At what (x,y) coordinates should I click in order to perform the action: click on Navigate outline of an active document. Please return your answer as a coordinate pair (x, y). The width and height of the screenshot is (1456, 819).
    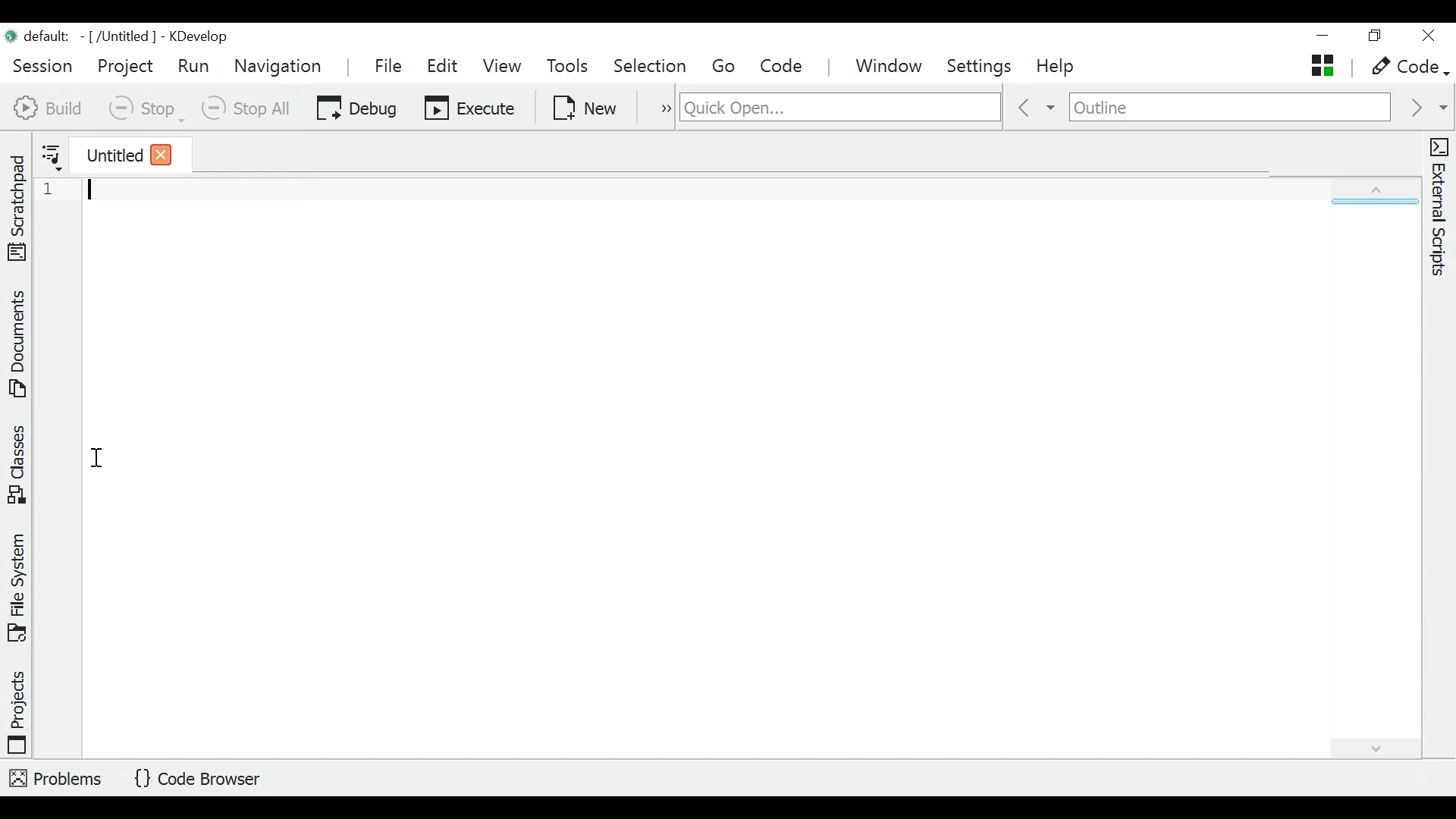
    Looking at the image, I should click on (1229, 108).